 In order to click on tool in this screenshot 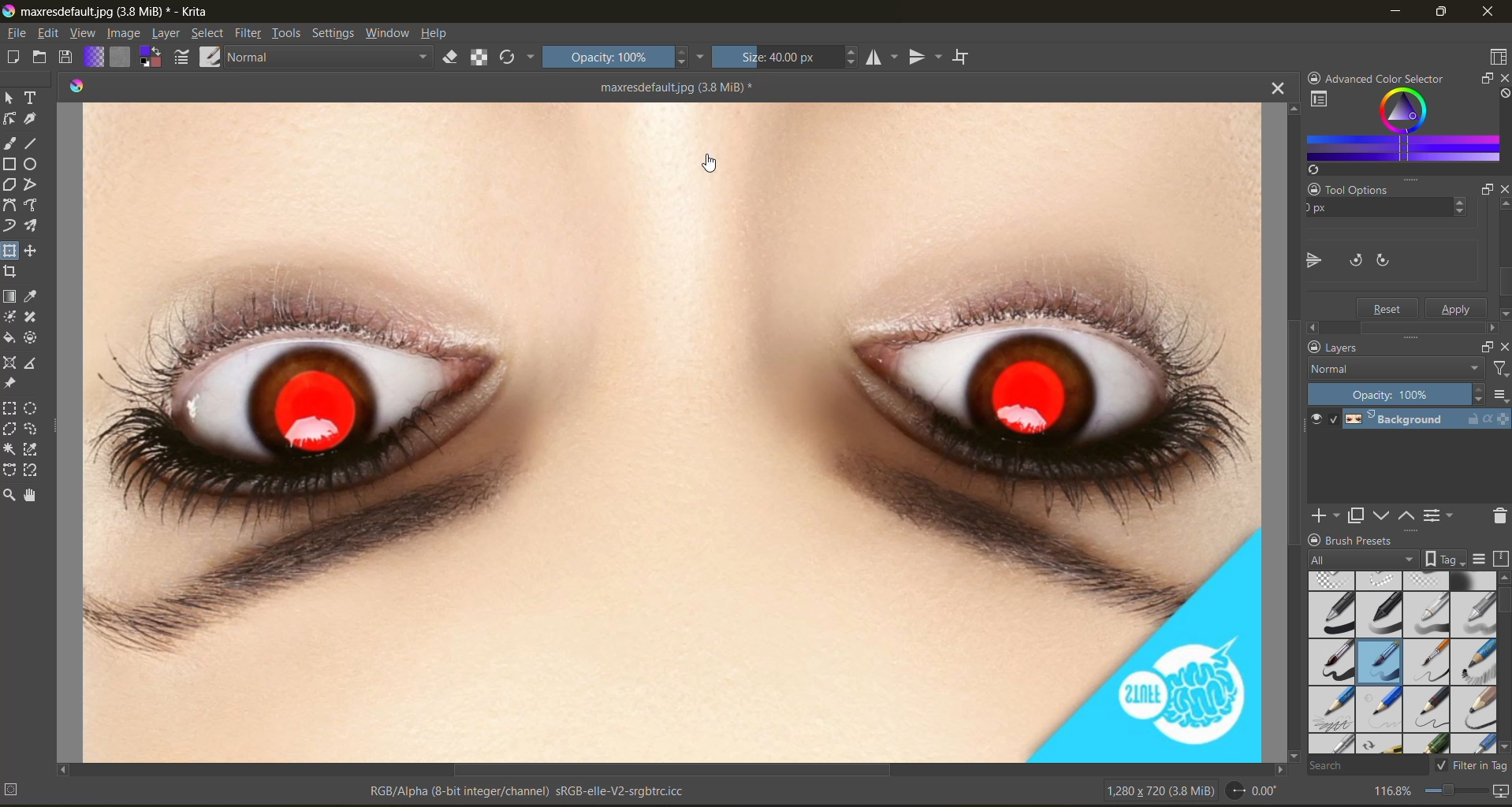, I will do `click(12, 250)`.